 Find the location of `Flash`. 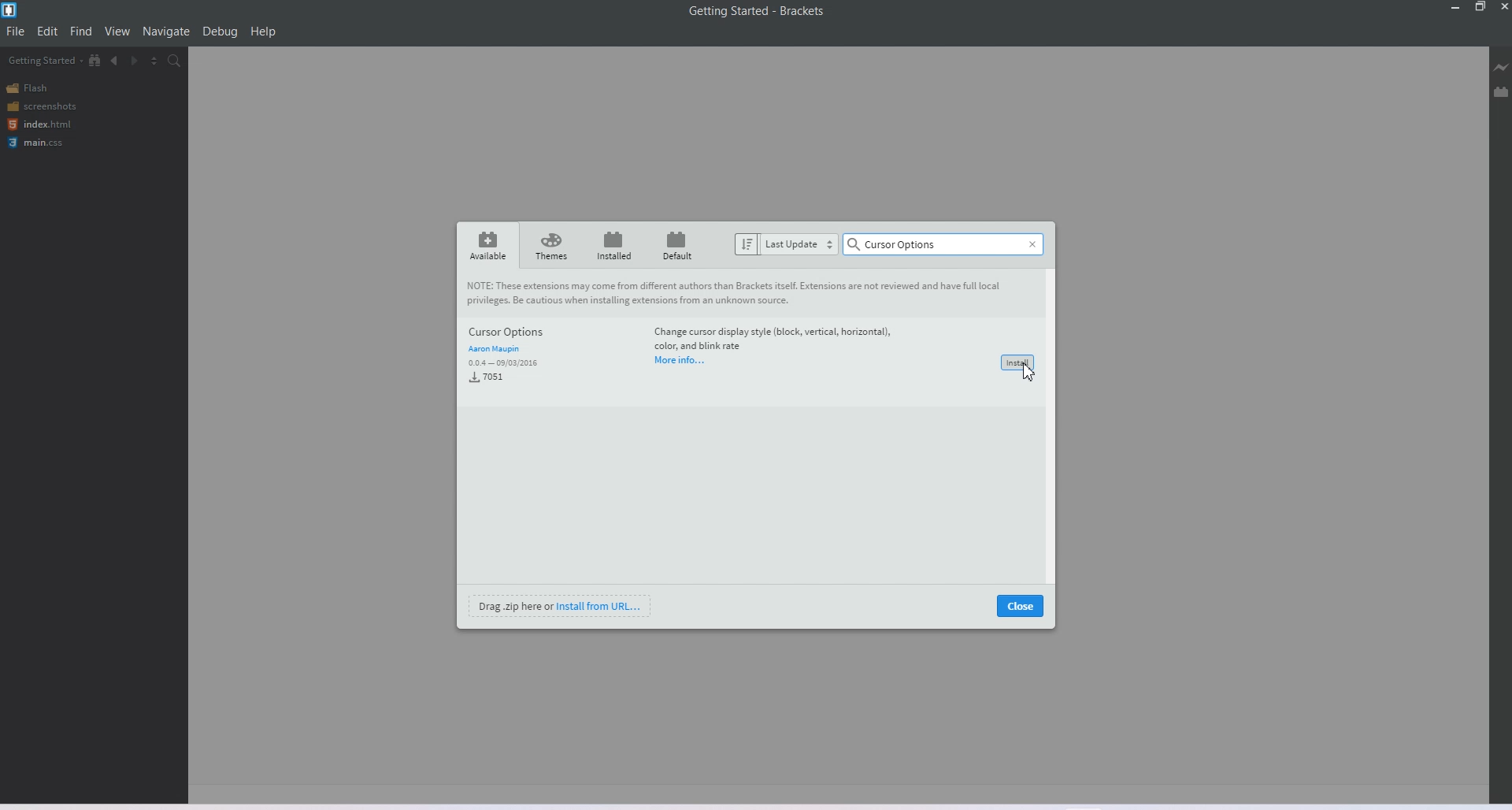

Flash is located at coordinates (30, 88).